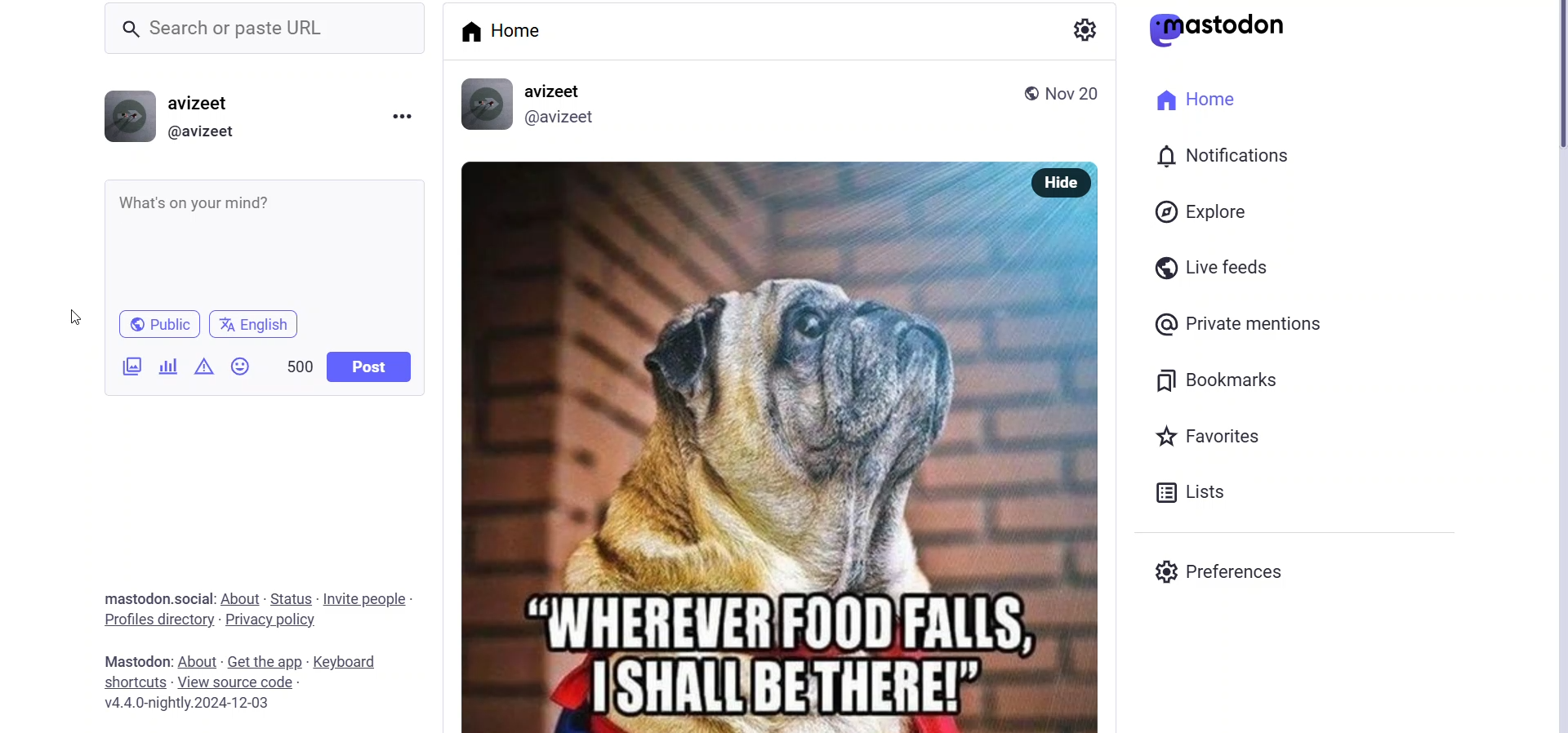 The image size is (1568, 733). I want to click on @ user name, so click(208, 134).